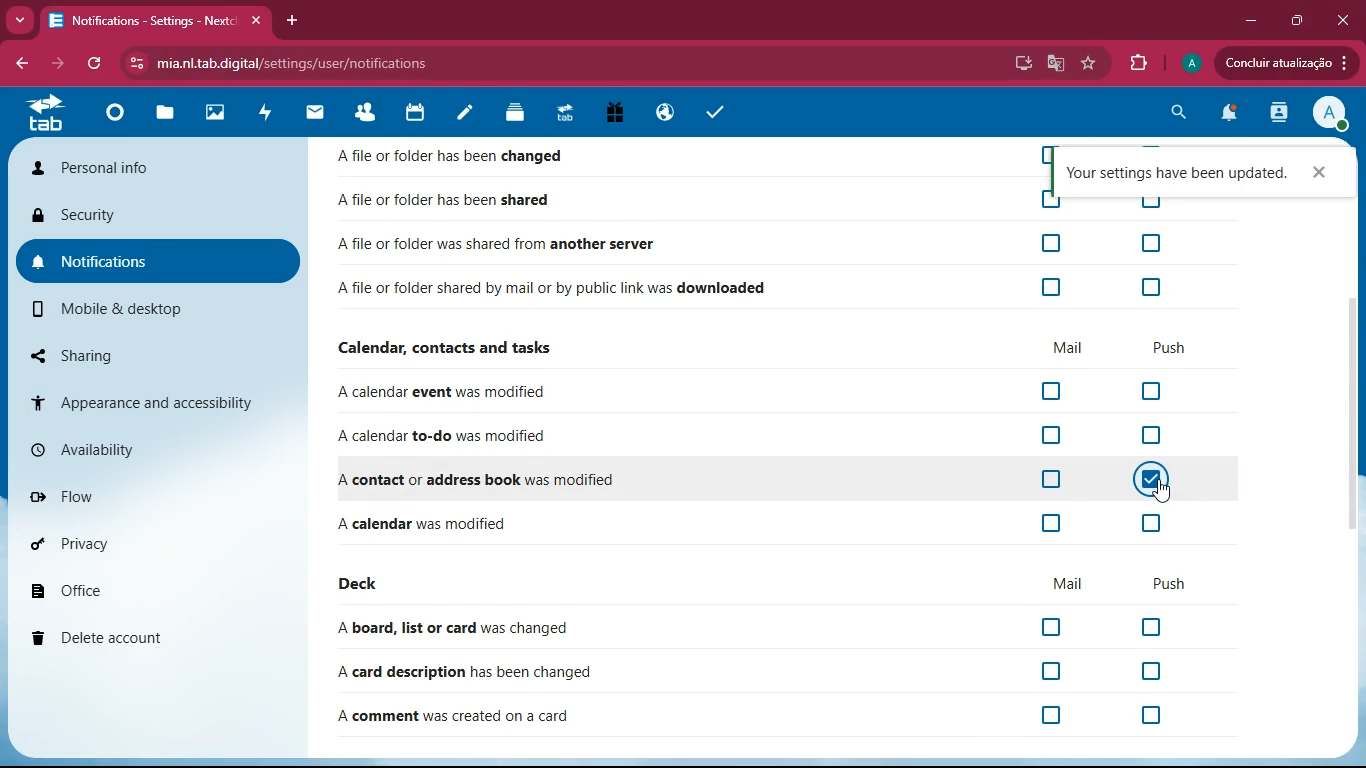  What do you see at coordinates (294, 64) in the screenshot?
I see `mia.nl.tab.digital/settings/user/notifications` at bounding box center [294, 64].